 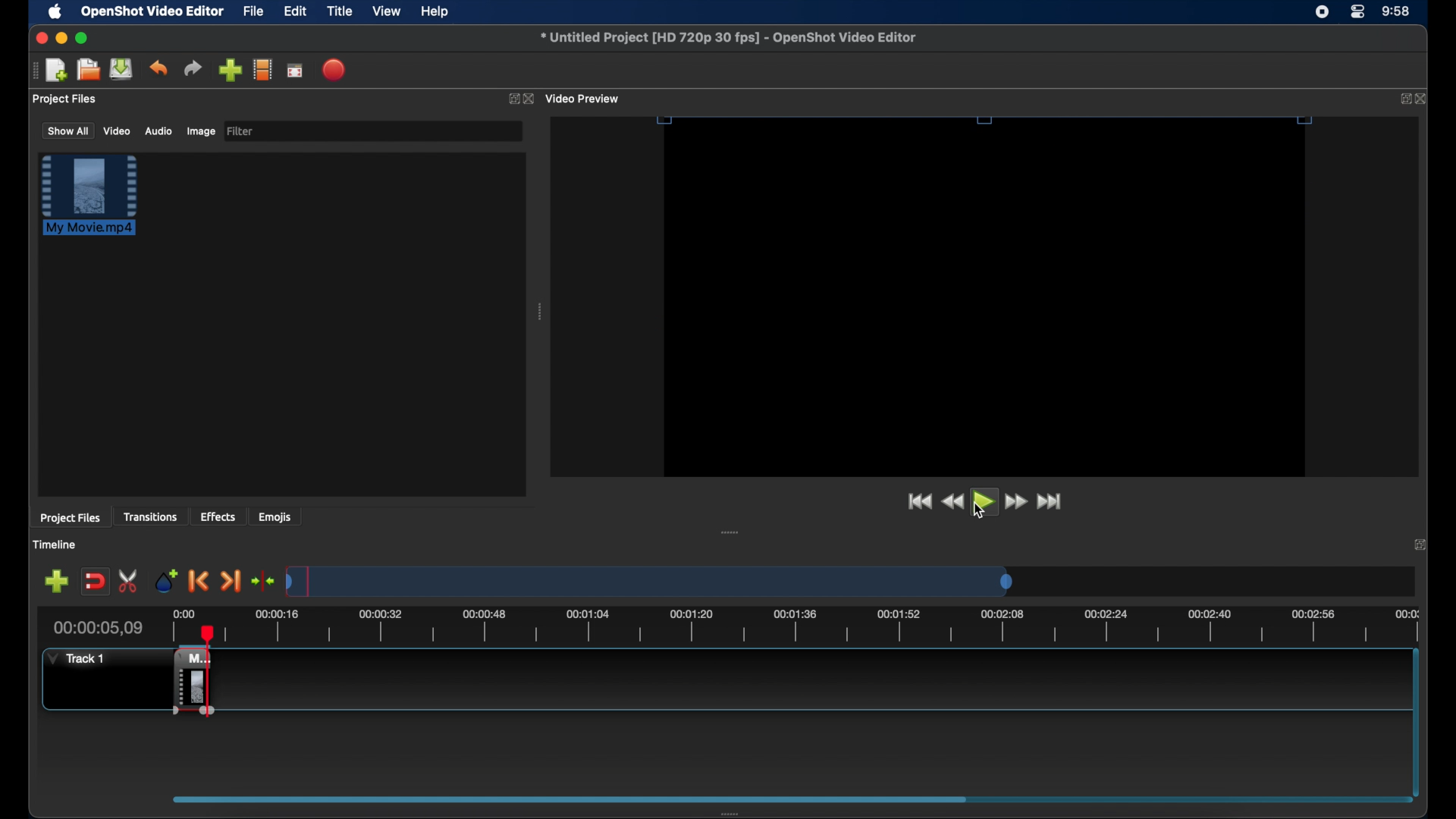 What do you see at coordinates (96, 202) in the screenshot?
I see `clip highlighted` at bounding box center [96, 202].